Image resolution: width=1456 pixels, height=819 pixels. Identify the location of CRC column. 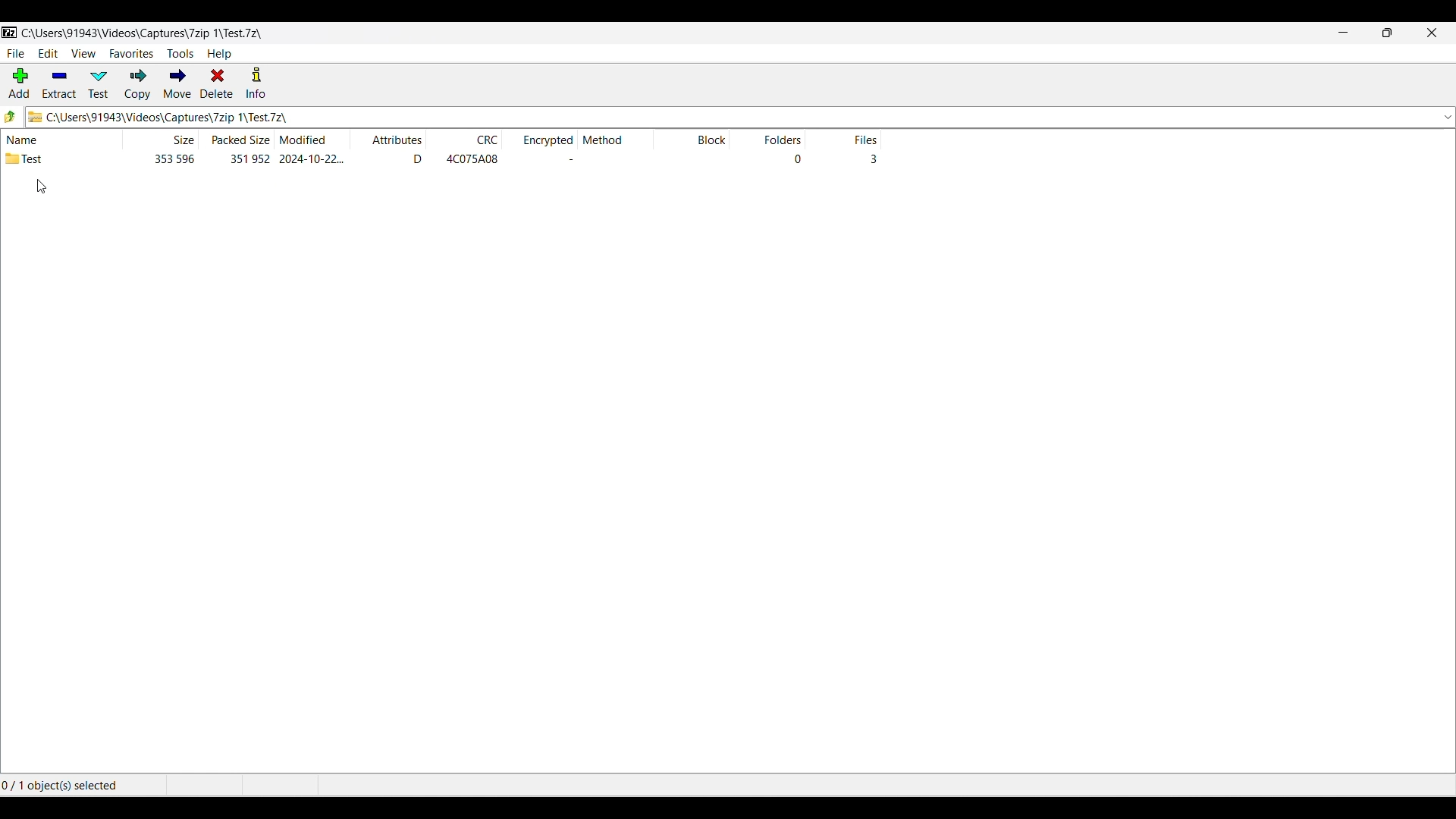
(472, 138).